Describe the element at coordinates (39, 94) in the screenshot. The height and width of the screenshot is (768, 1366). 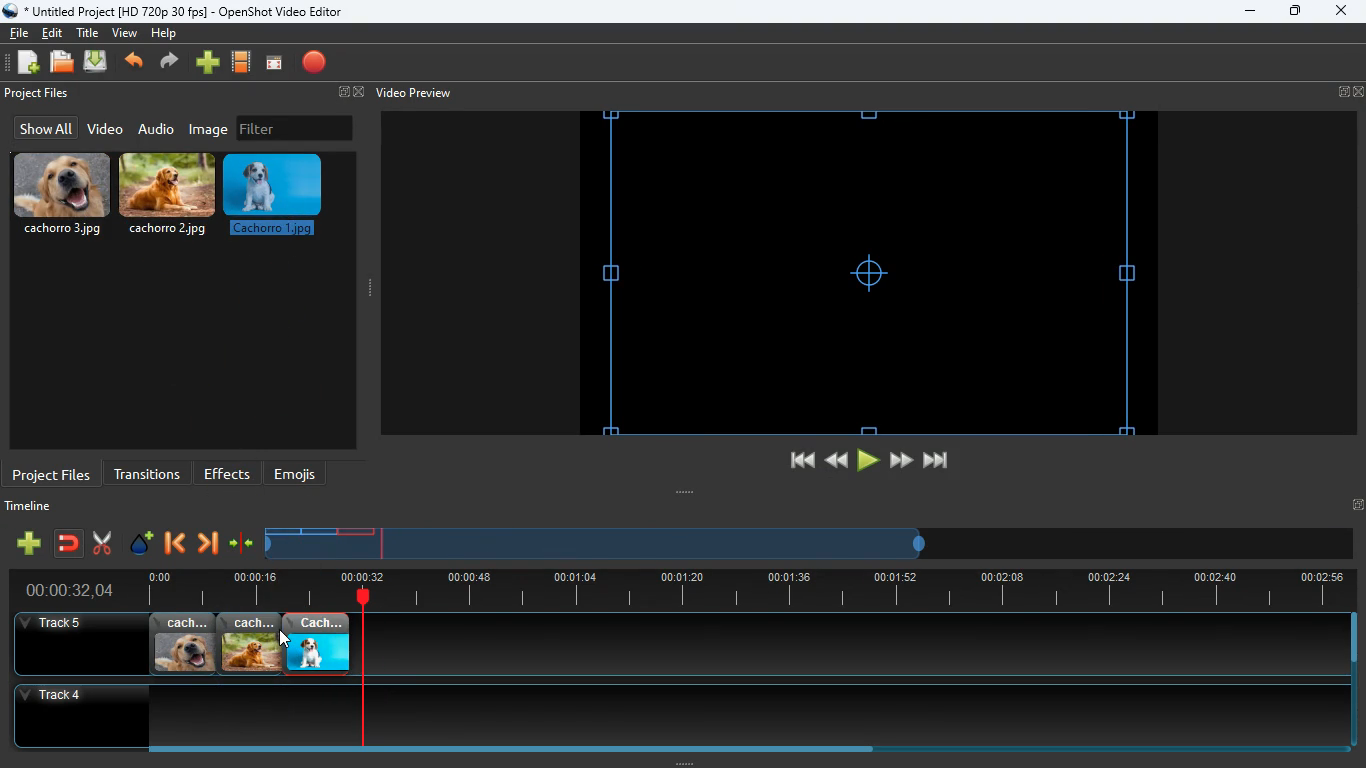
I see `project files` at that location.